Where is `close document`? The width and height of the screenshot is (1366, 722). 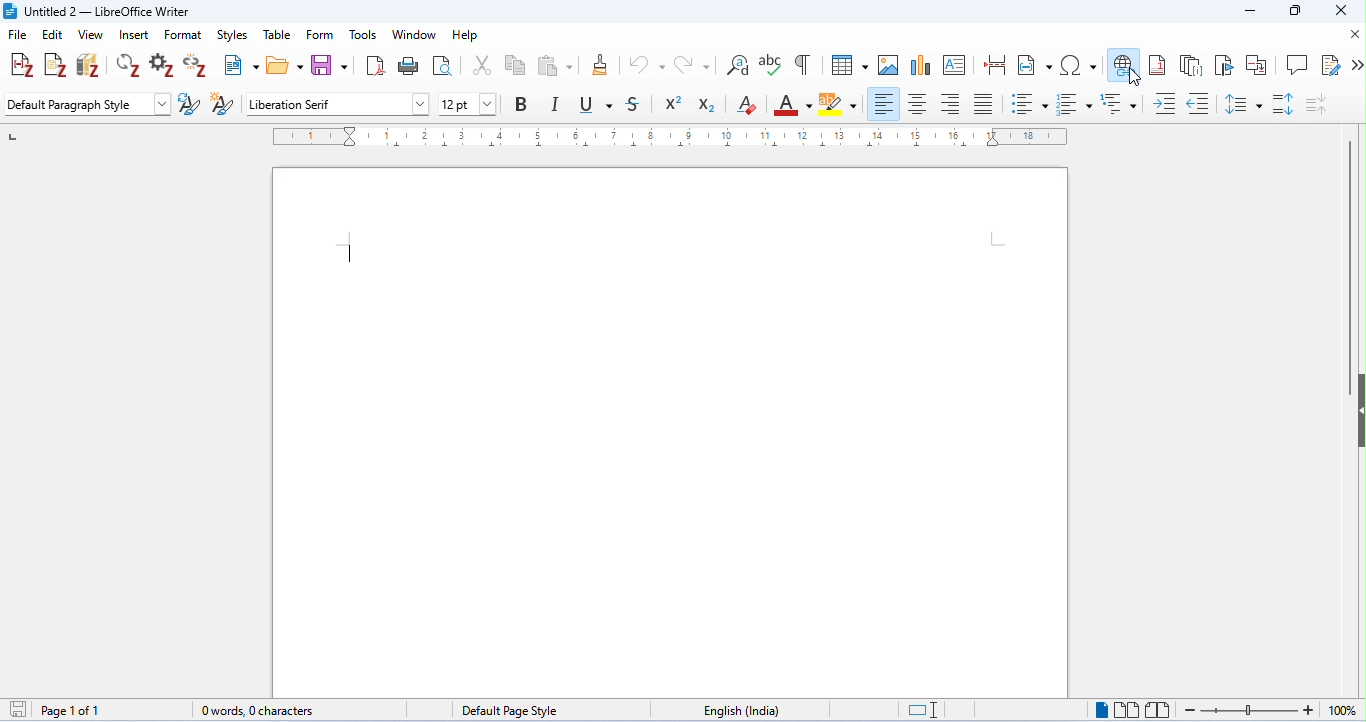 close document is located at coordinates (1354, 35).